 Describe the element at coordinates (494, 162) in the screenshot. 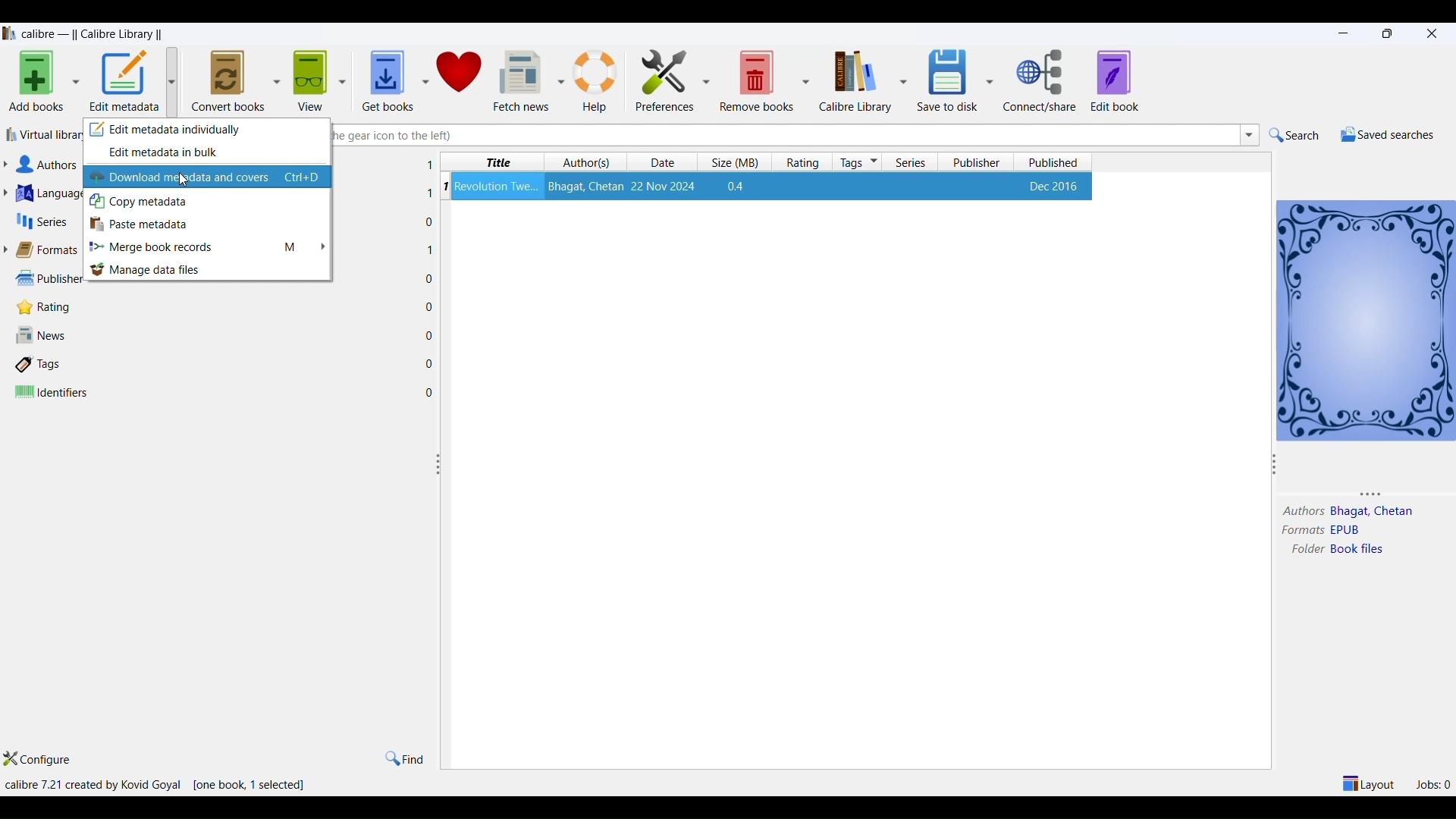

I see `title` at that location.